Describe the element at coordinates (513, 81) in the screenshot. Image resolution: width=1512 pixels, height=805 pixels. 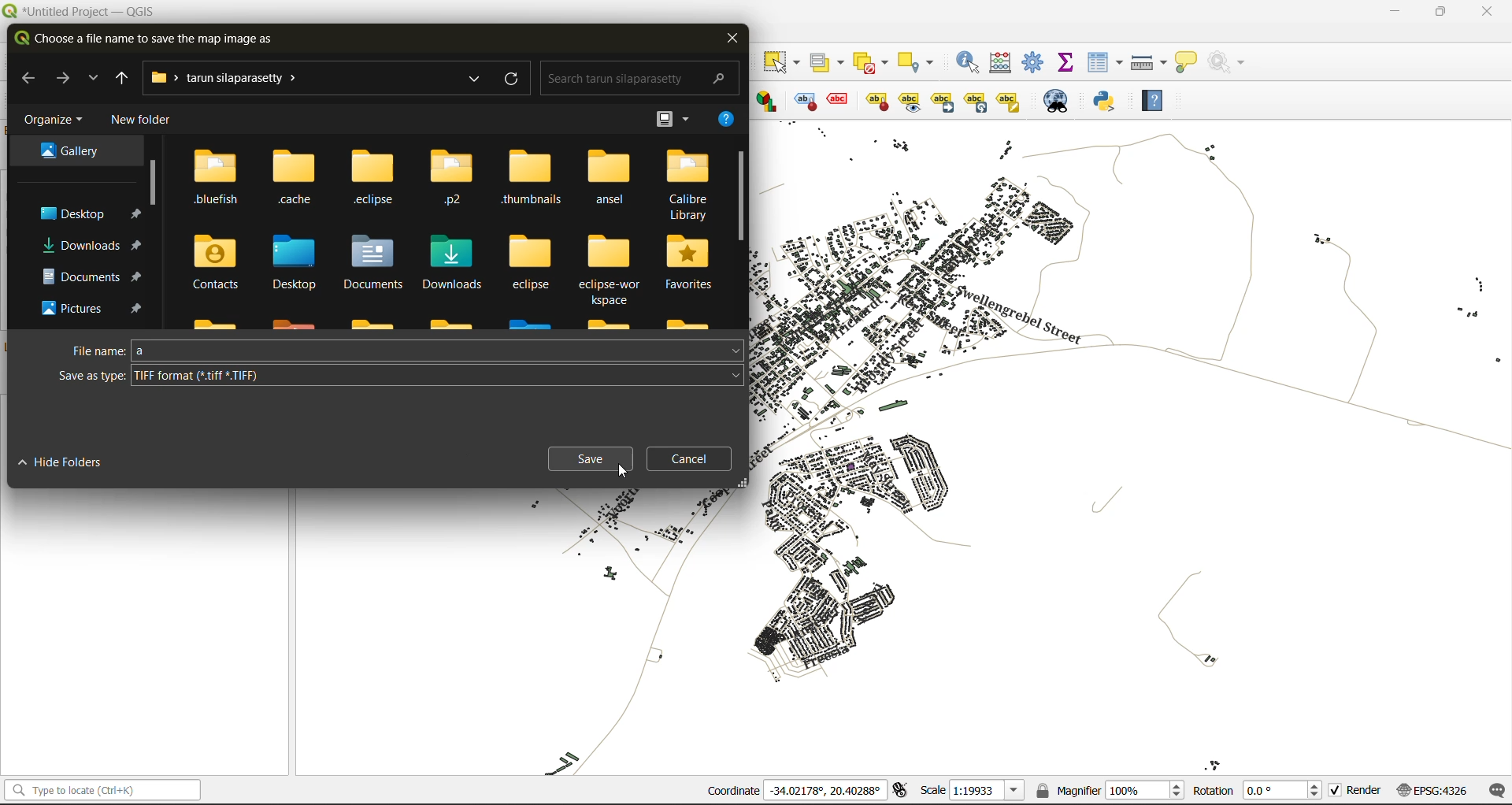
I see `refresh` at that location.